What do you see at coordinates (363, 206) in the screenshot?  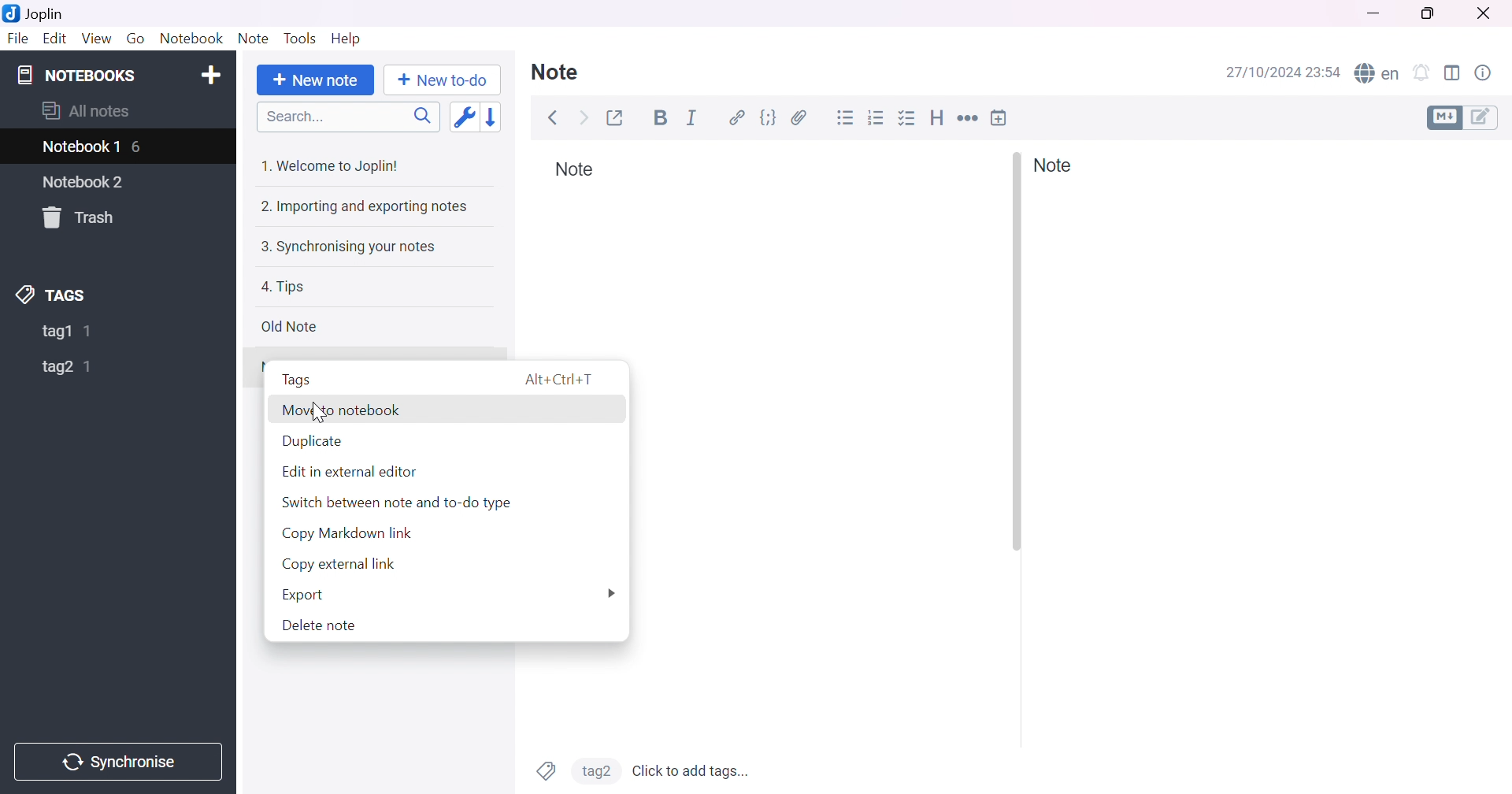 I see `2. Importing and exporting notes` at bounding box center [363, 206].